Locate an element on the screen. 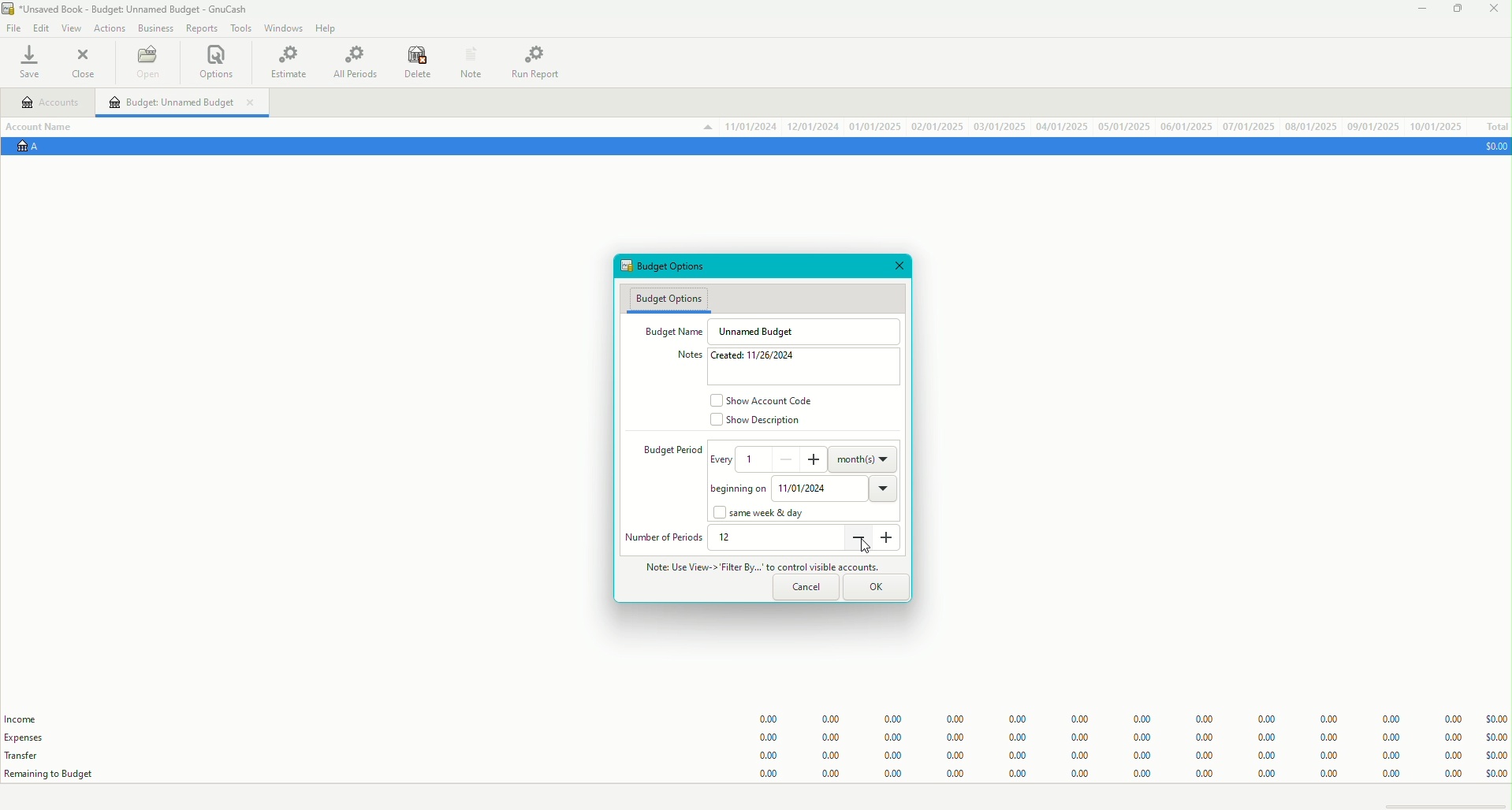  begining on is located at coordinates (734, 490).